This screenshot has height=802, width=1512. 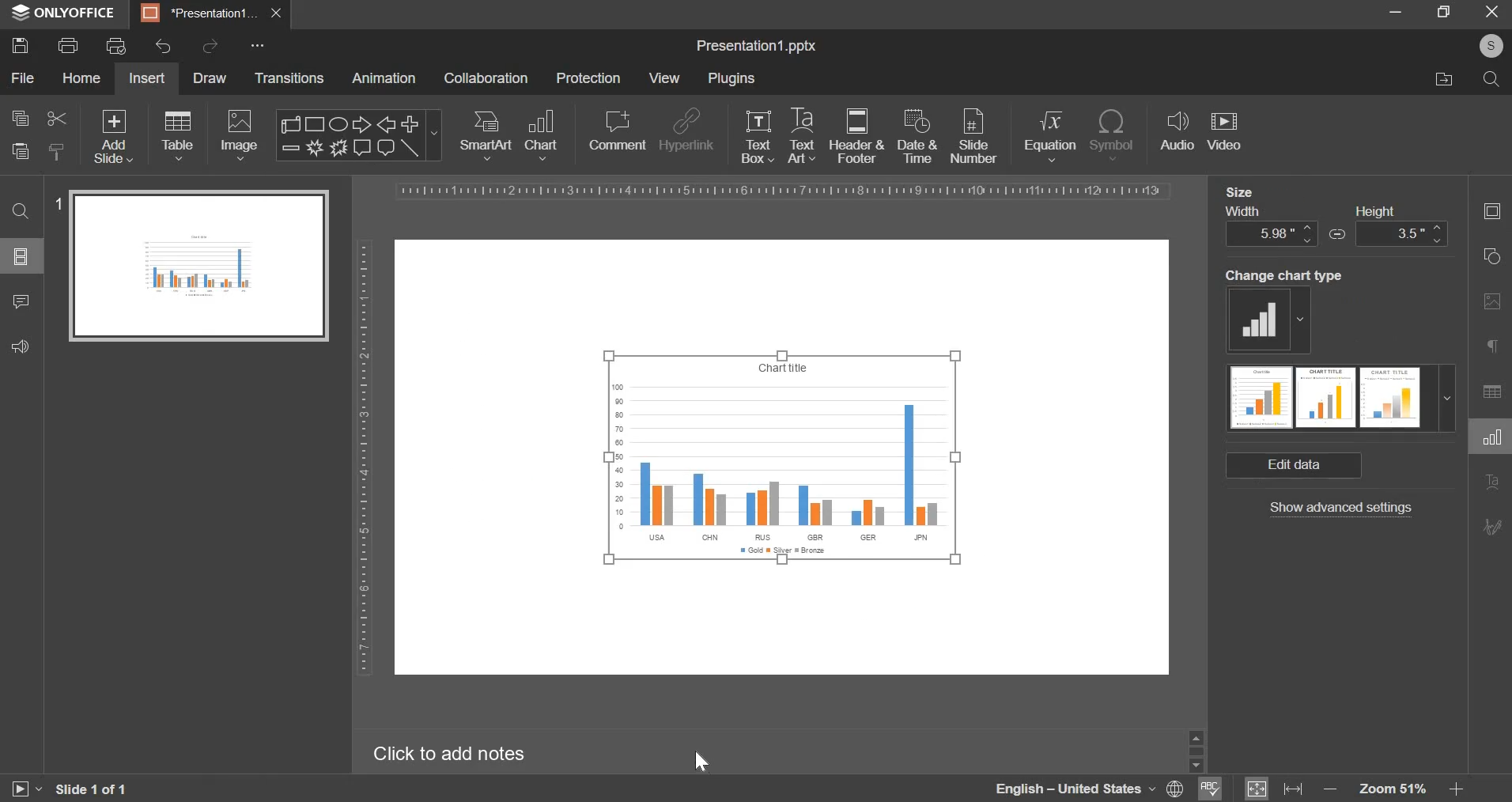 What do you see at coordinates (1392, 789) in the screenshot?
I see `zoom level` at bounding box center [1392, 789].